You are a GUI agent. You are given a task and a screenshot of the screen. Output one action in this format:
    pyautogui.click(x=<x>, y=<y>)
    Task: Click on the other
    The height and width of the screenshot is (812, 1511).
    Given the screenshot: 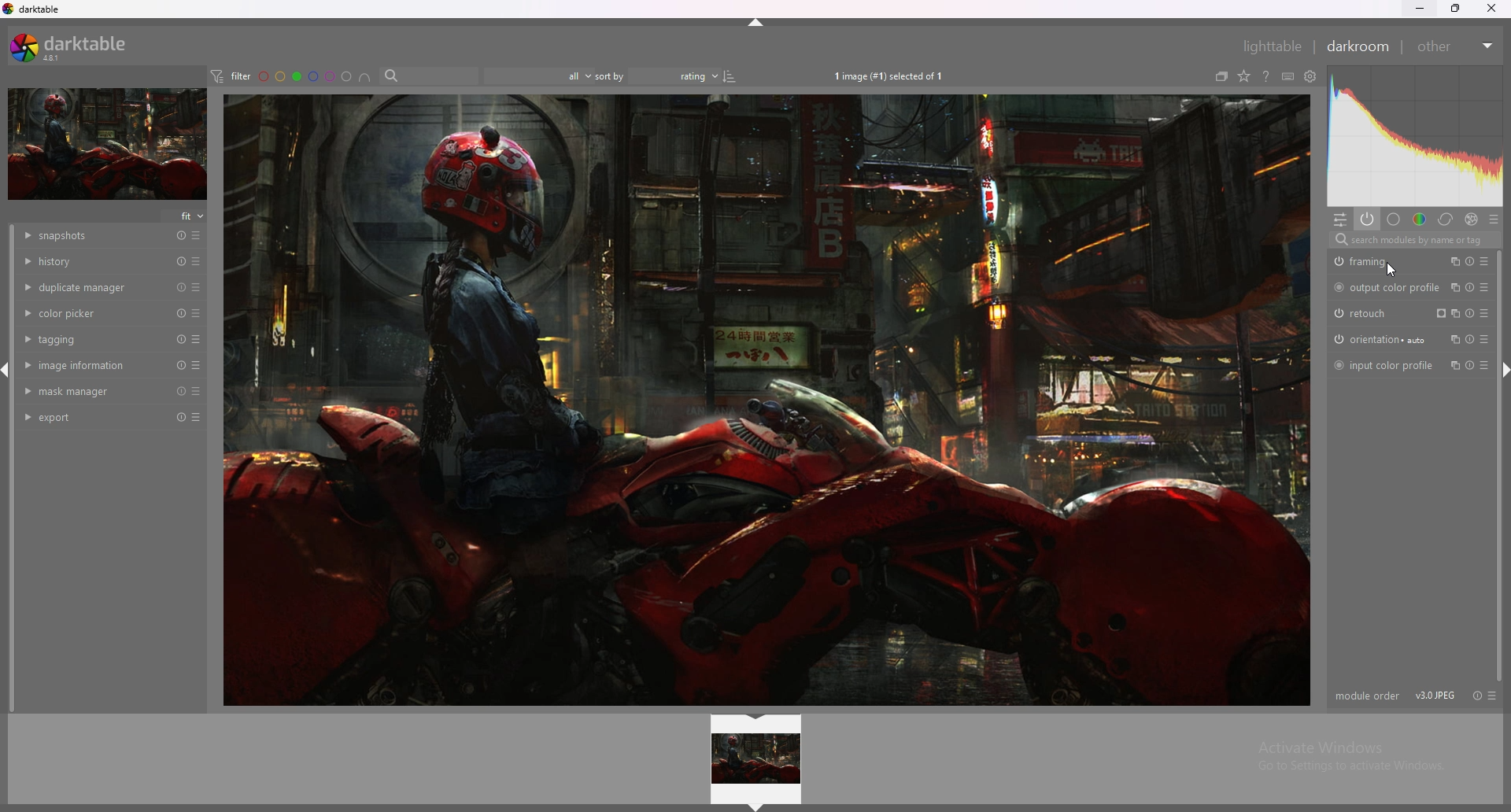 What is the action you would take?
    pyautogui.click(x=1453, y=45)
    